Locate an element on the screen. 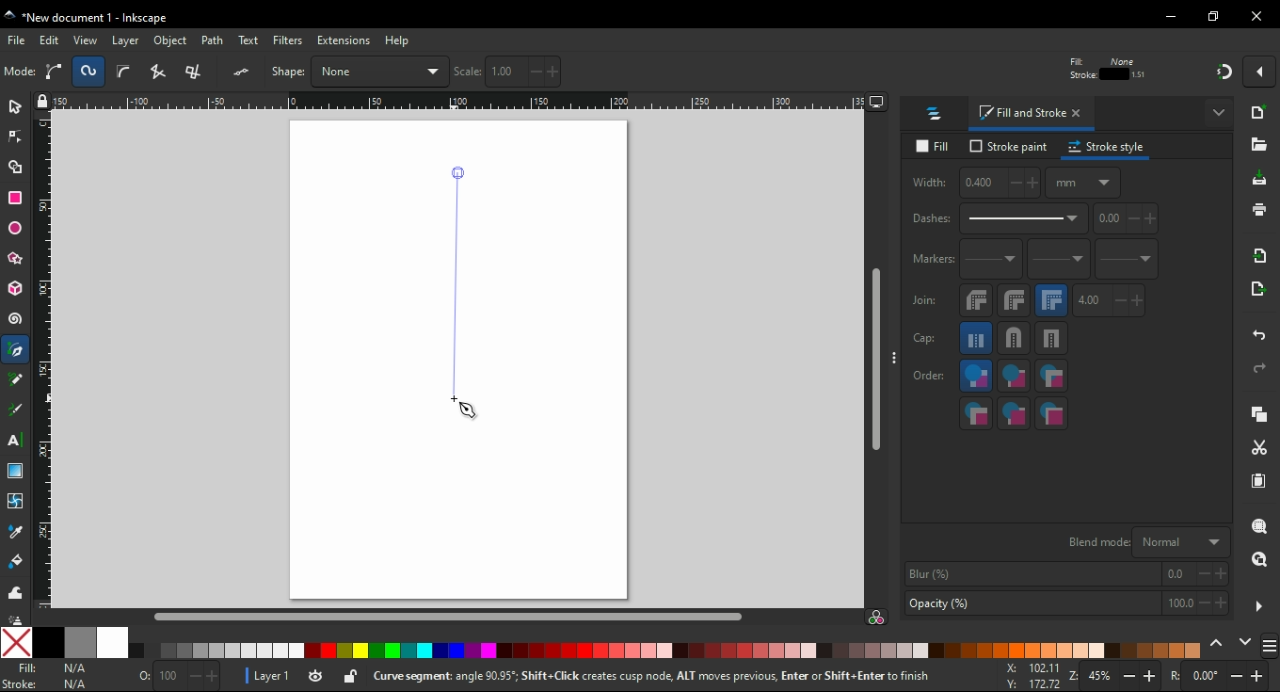 The width and height of the screenshot is (1280, 692). color tone pallete is located at coordinates (403, 651).